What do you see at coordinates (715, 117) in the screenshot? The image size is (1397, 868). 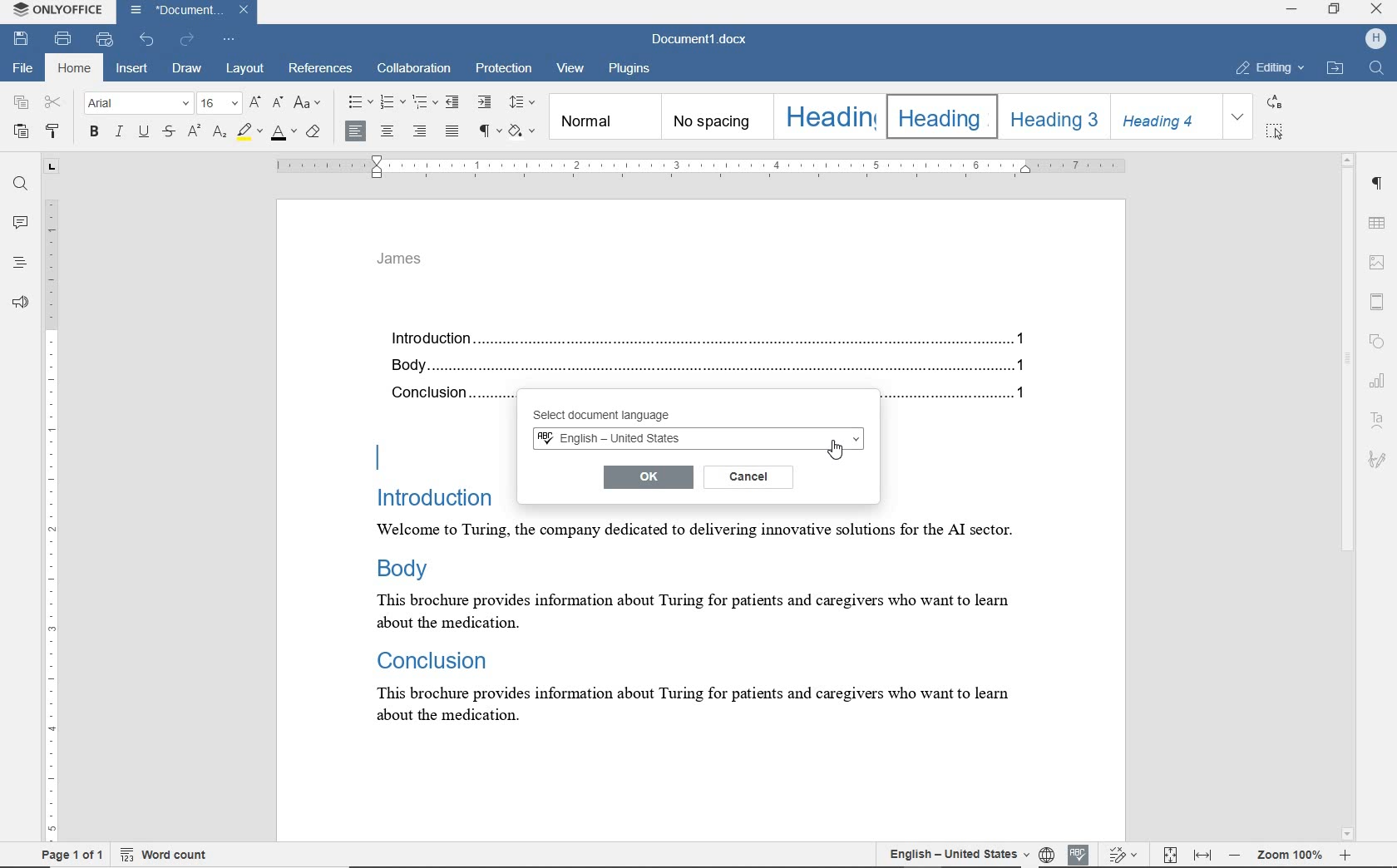 I see `no spacing` at bounding box center [715, 117].